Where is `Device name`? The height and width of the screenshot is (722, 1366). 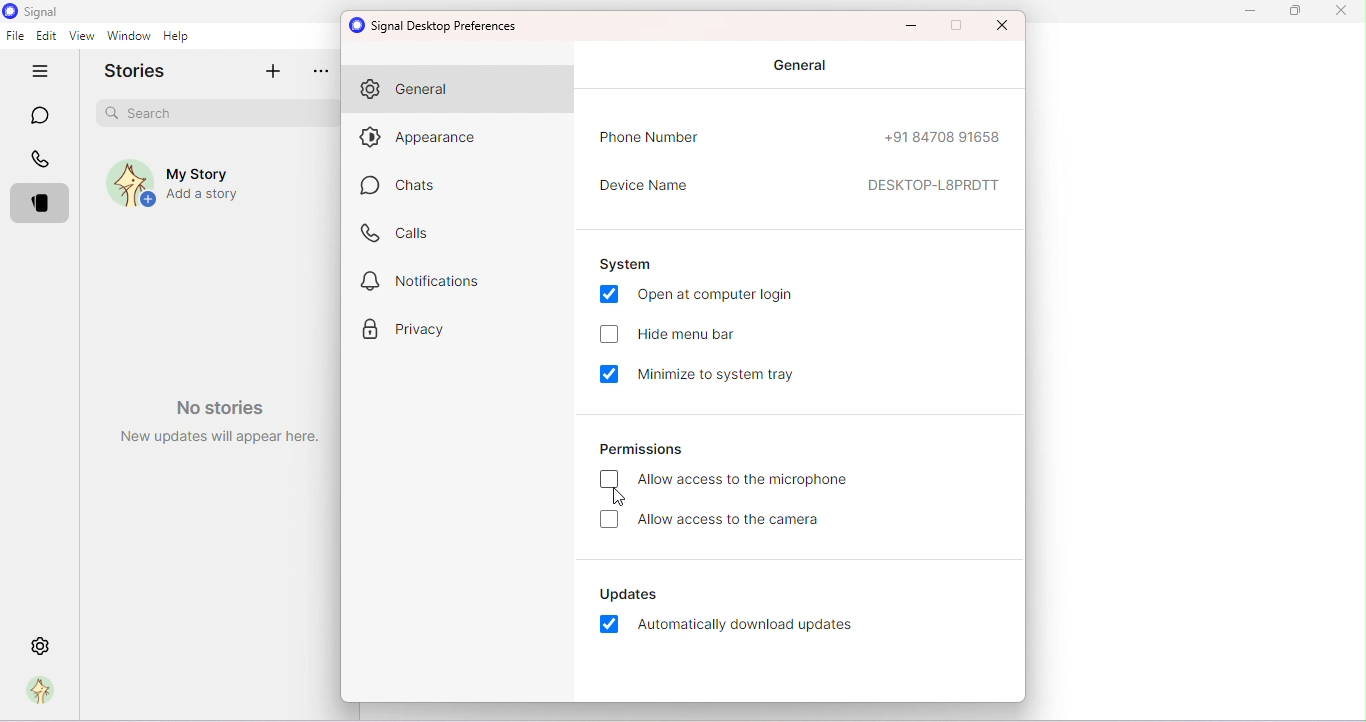 Device name is located at coordinates (800, 186).